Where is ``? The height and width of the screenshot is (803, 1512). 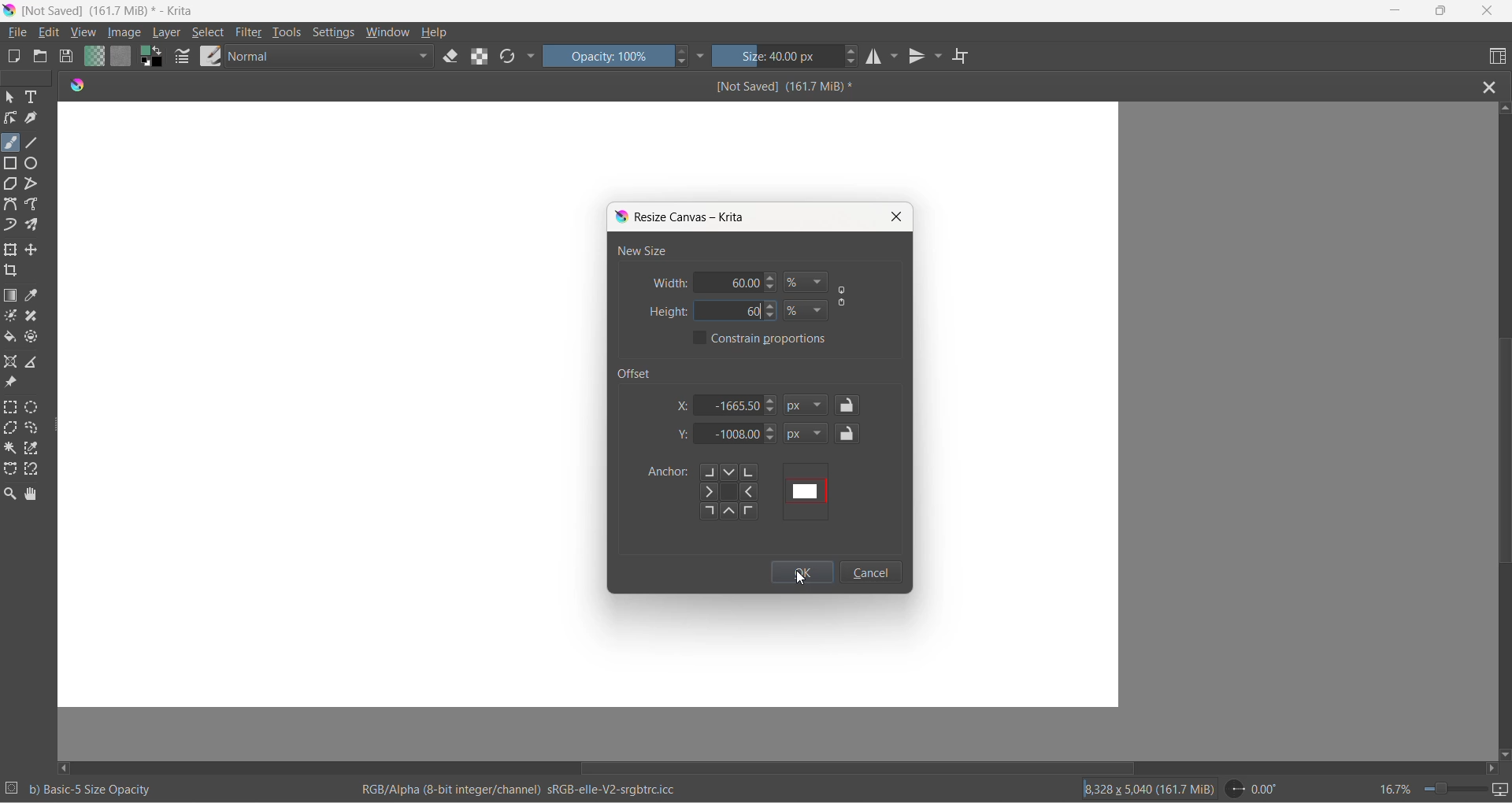
 is located at coordinates (683, 435).